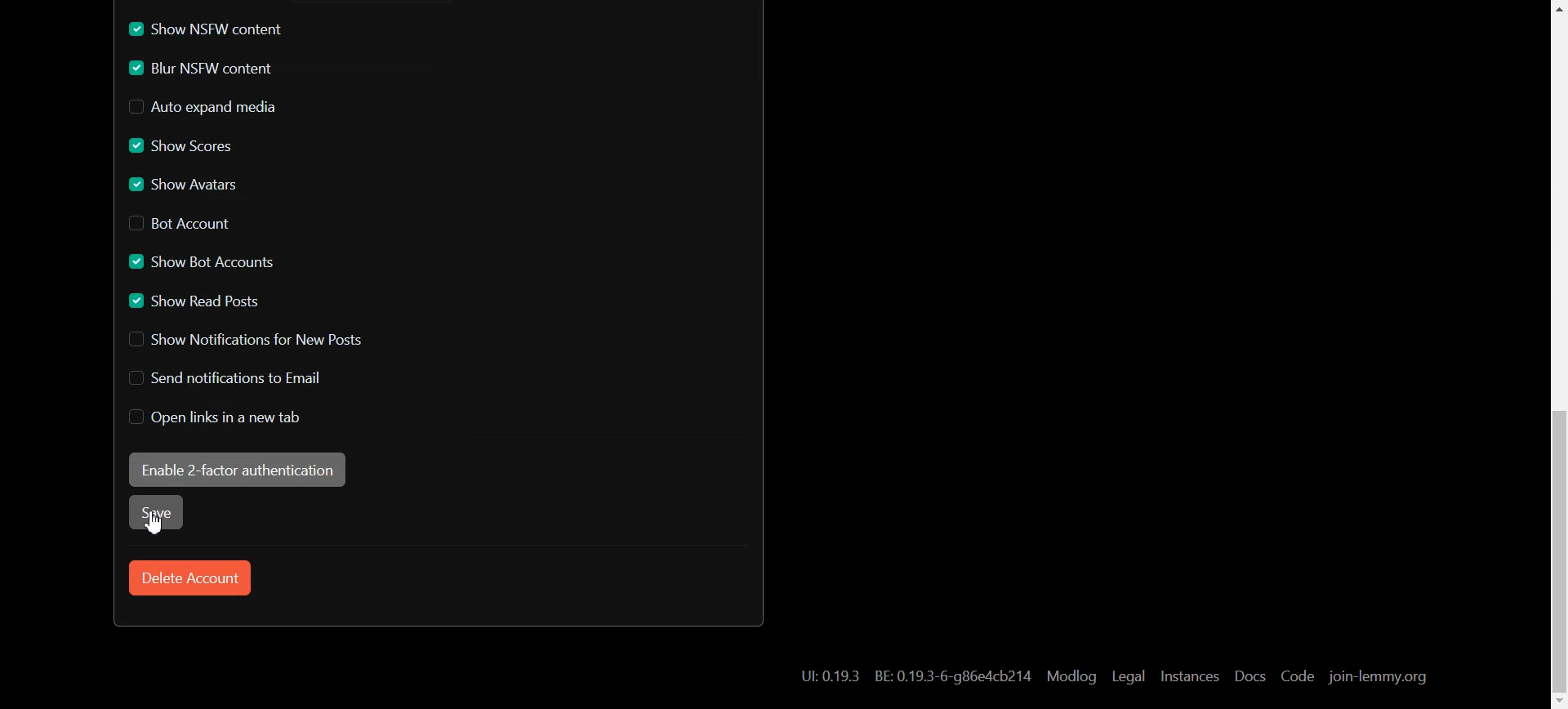 This screenshot has height=709, width=1568. I want to click on Enable 2-factor Authentication, so click(238, 470).